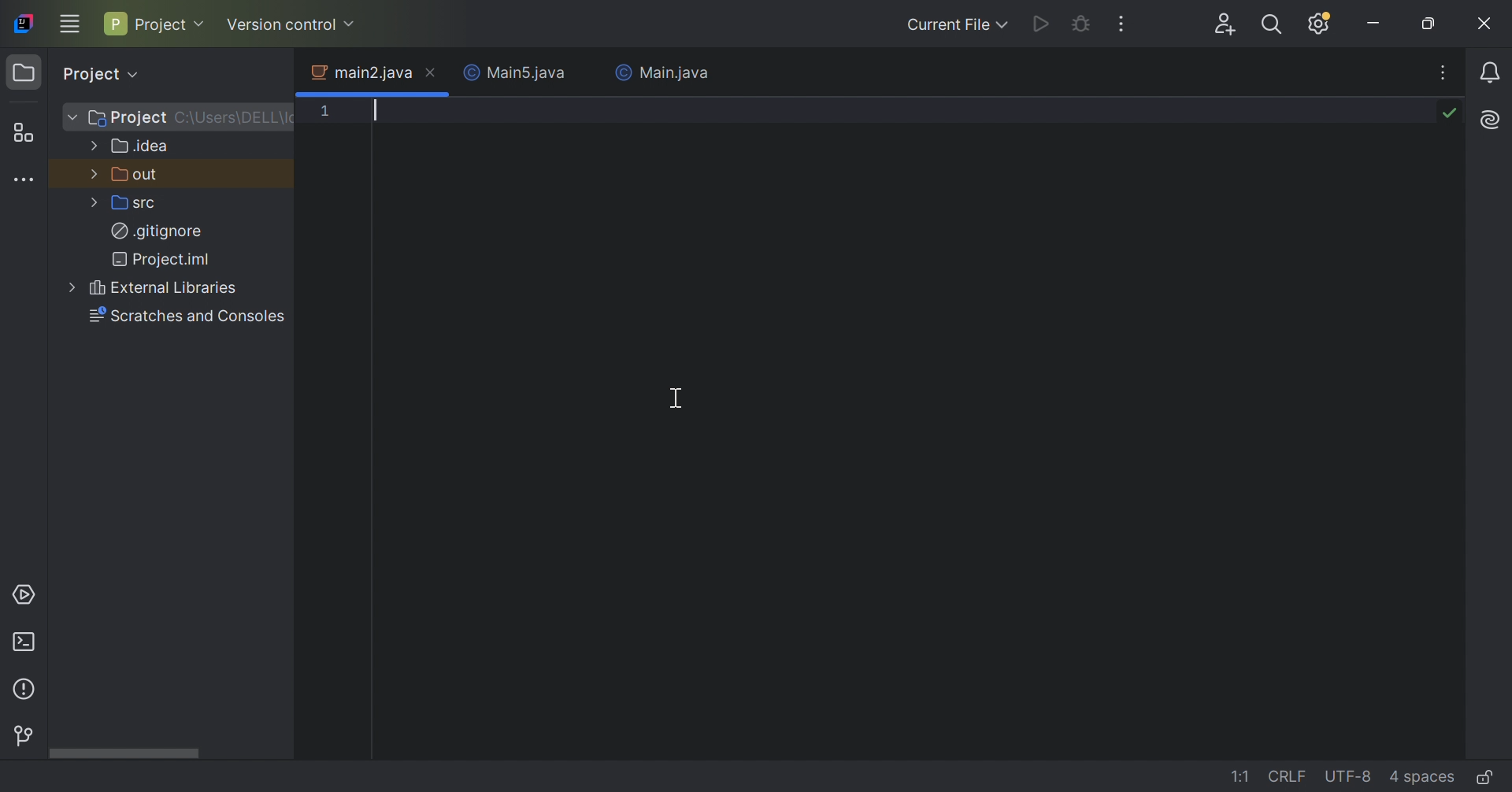  What do you see at coordinates (91, 203) in the screenshot?
I see `More` at bounding box center [91, 203].